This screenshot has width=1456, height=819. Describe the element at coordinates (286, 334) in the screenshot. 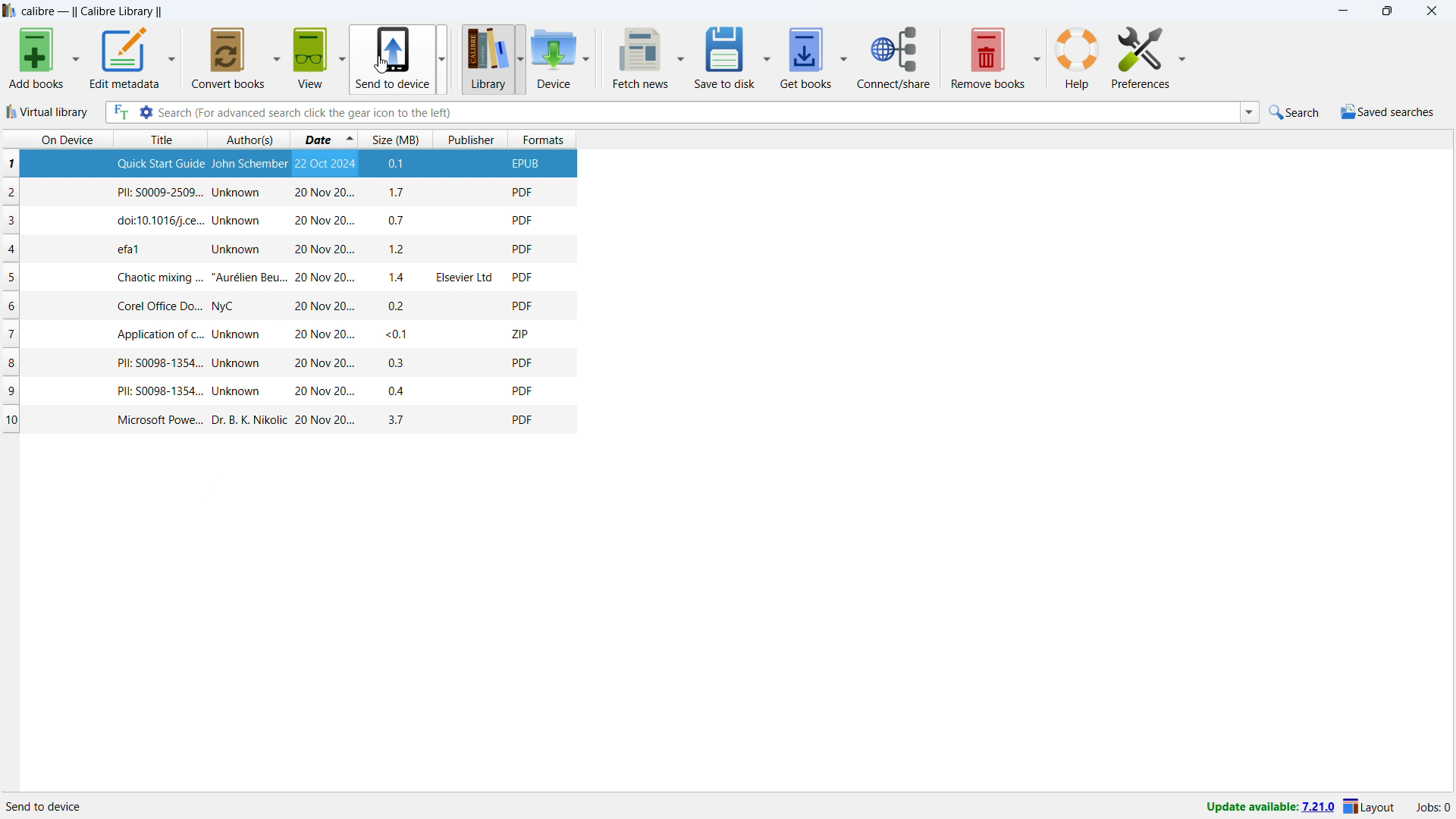

I see `one book entry` at that location.